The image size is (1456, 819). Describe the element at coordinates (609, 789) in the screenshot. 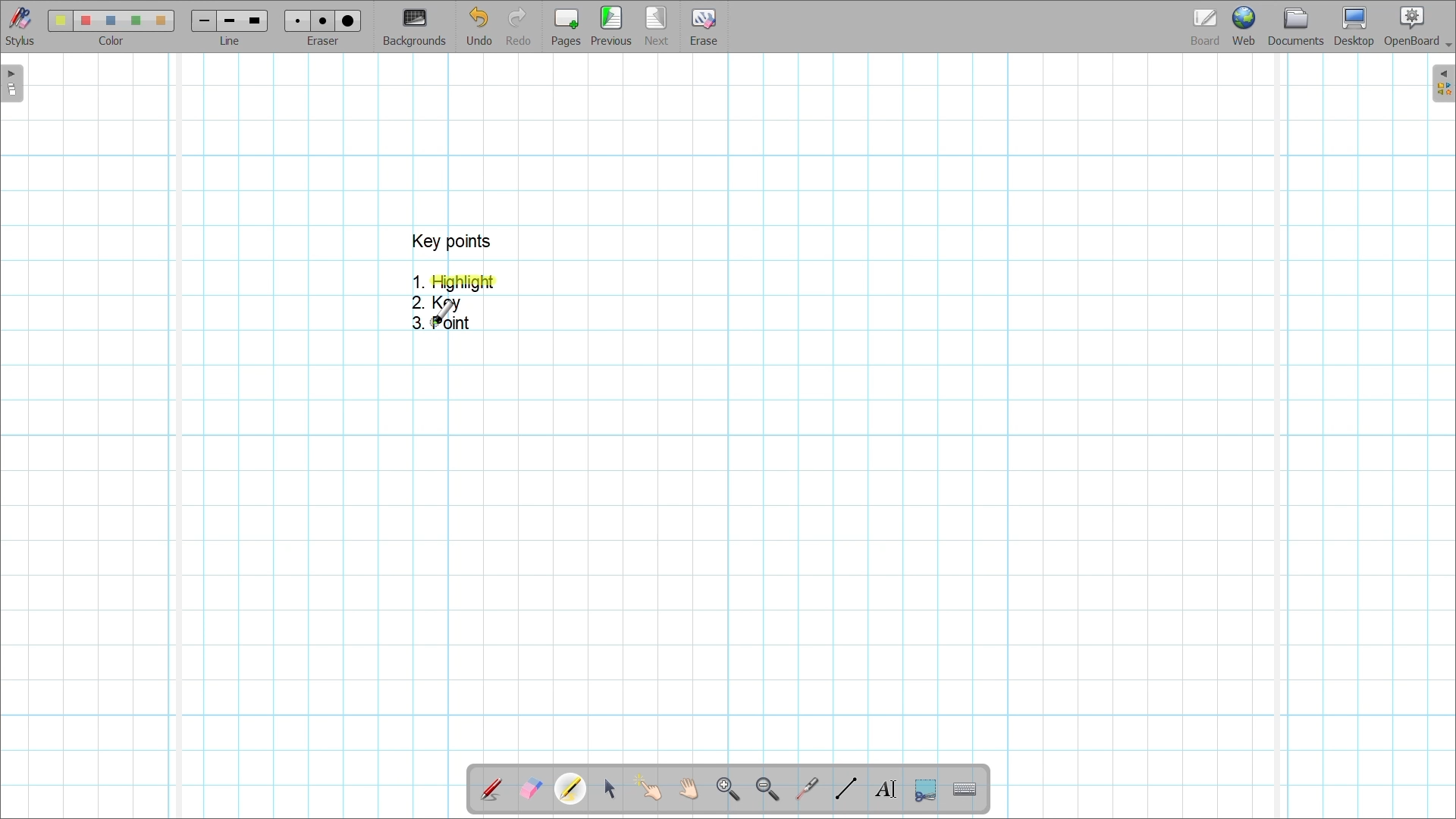

I see `Select and modify objects highlighted` at that location.